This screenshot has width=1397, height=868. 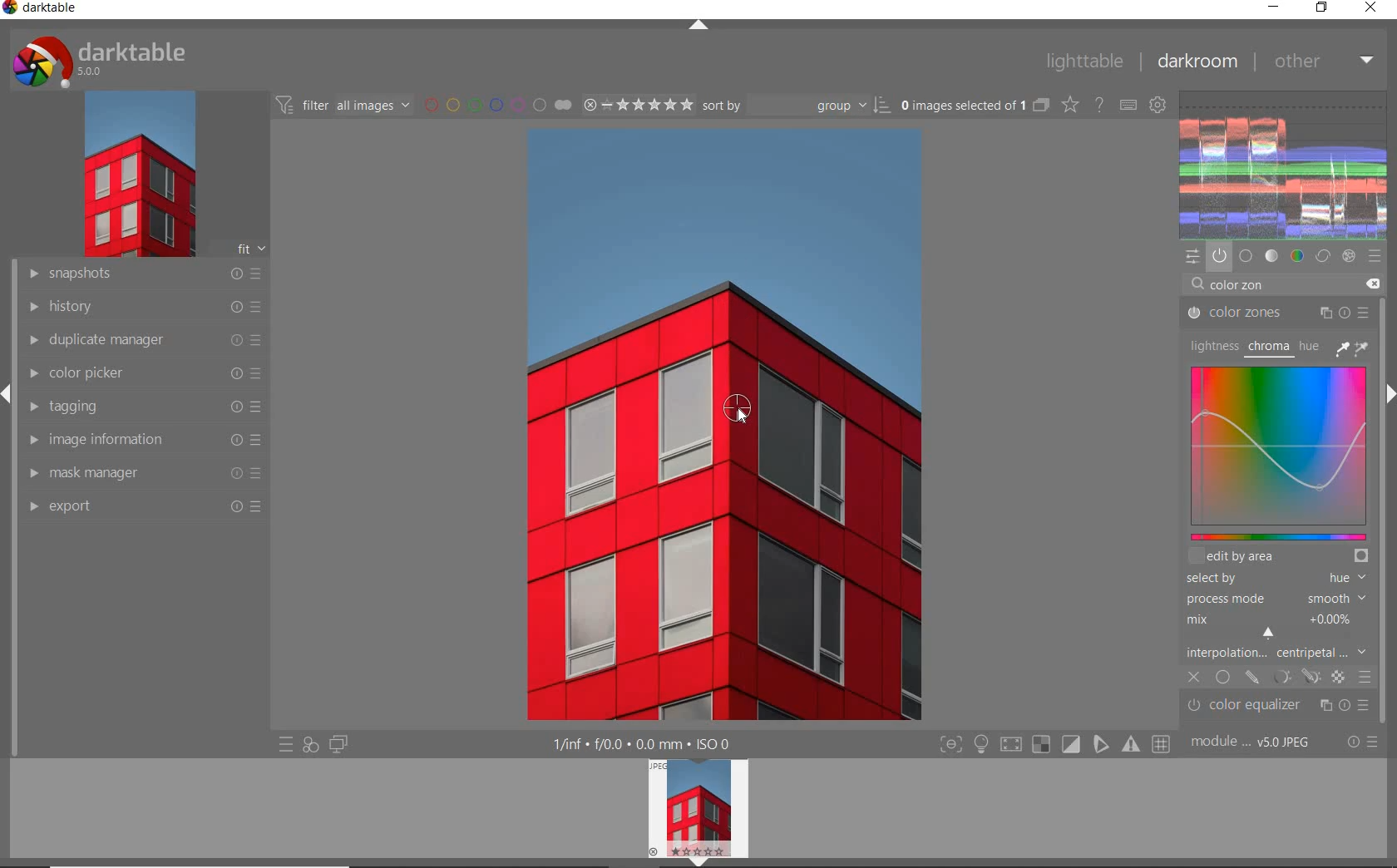 What do you see at coordinates (1159, 106) in the screenshot?
I see `show global preferences` at bounding box center [1159, 106].